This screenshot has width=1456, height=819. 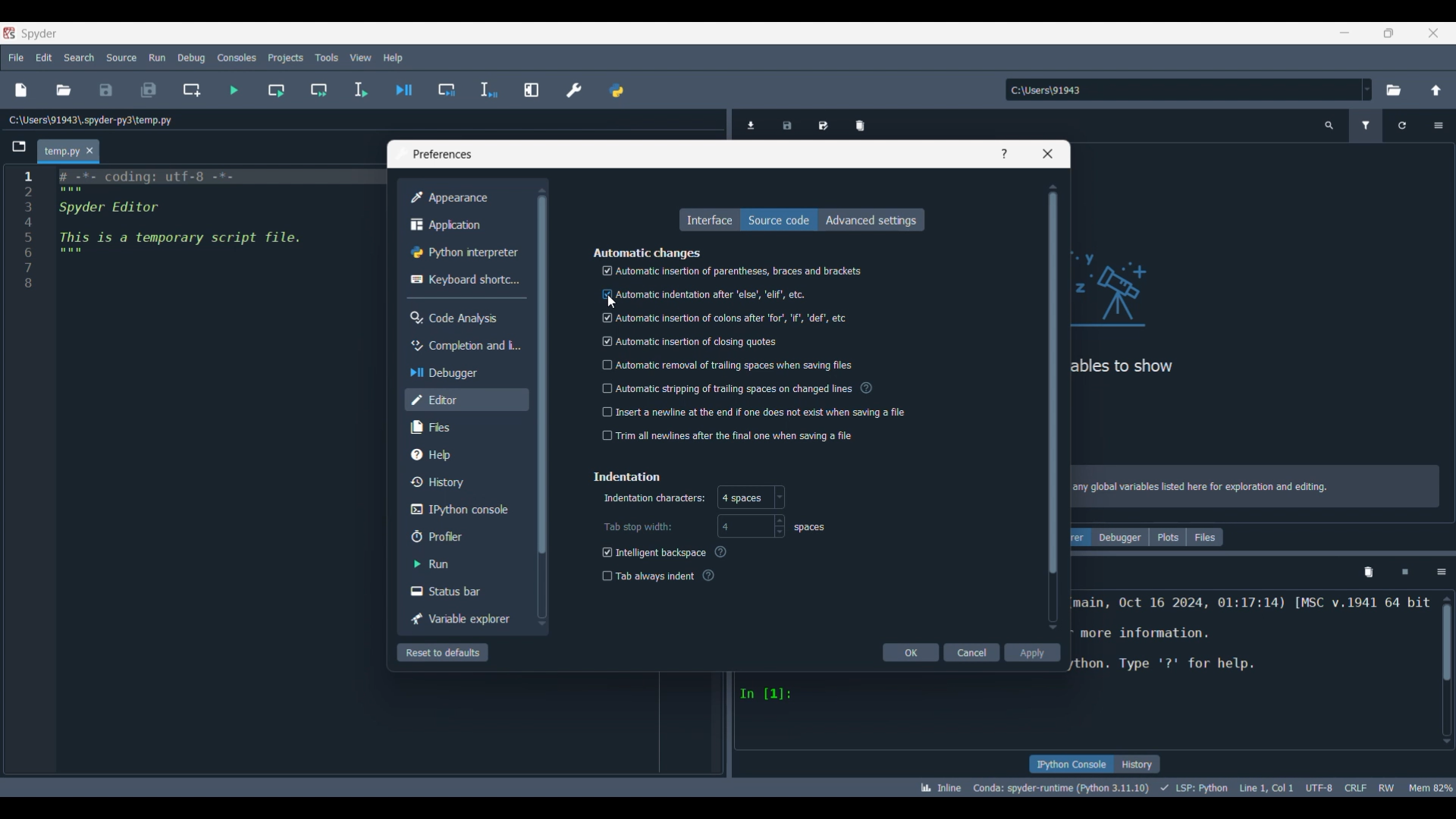 I want to click on Current code, so click(x=201, y=238).